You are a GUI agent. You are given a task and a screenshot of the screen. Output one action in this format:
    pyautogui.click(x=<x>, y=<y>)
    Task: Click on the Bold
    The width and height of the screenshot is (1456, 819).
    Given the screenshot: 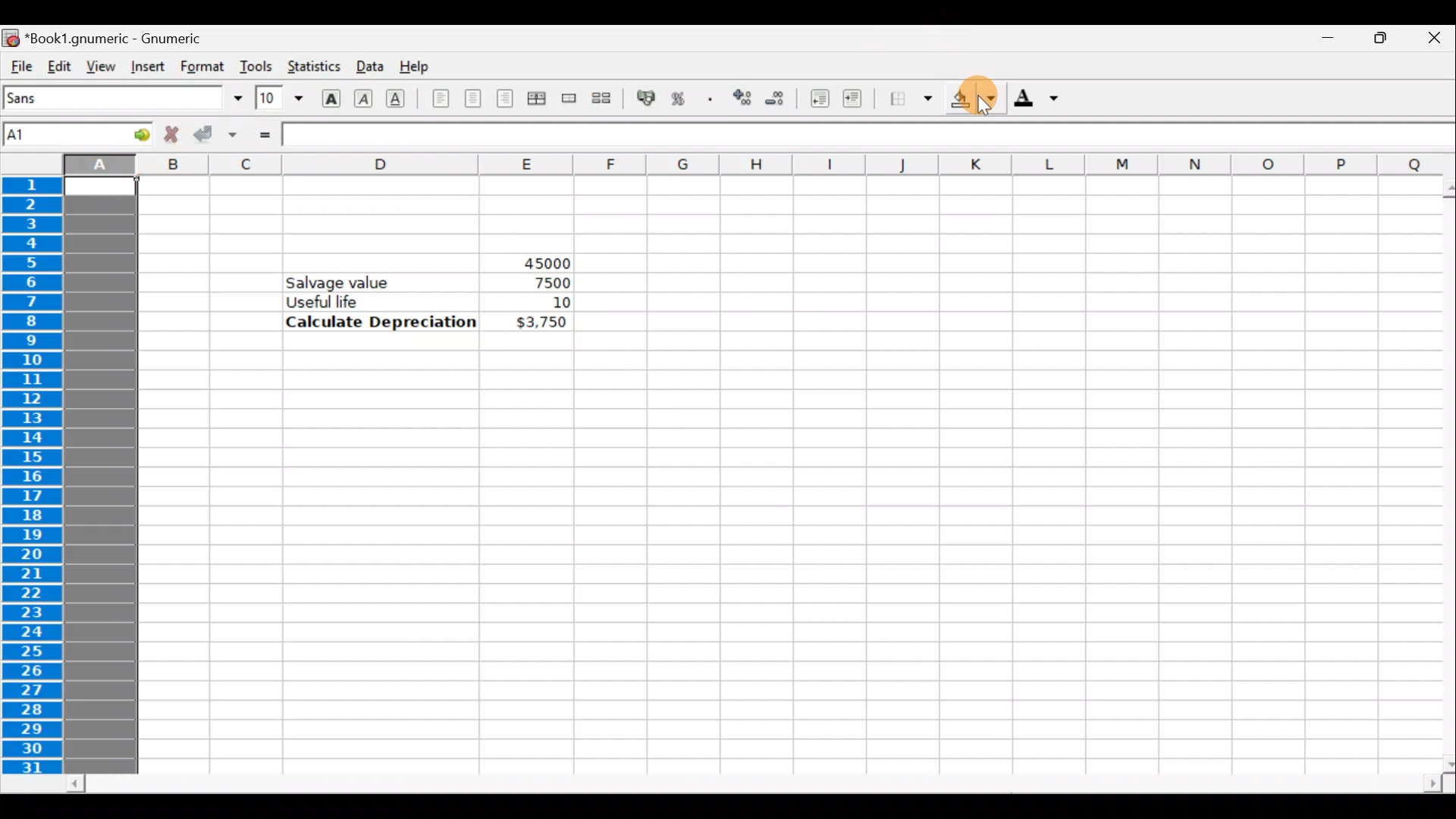 What is the action you would take?
    pyautogui.click(x=331, y=96)
    